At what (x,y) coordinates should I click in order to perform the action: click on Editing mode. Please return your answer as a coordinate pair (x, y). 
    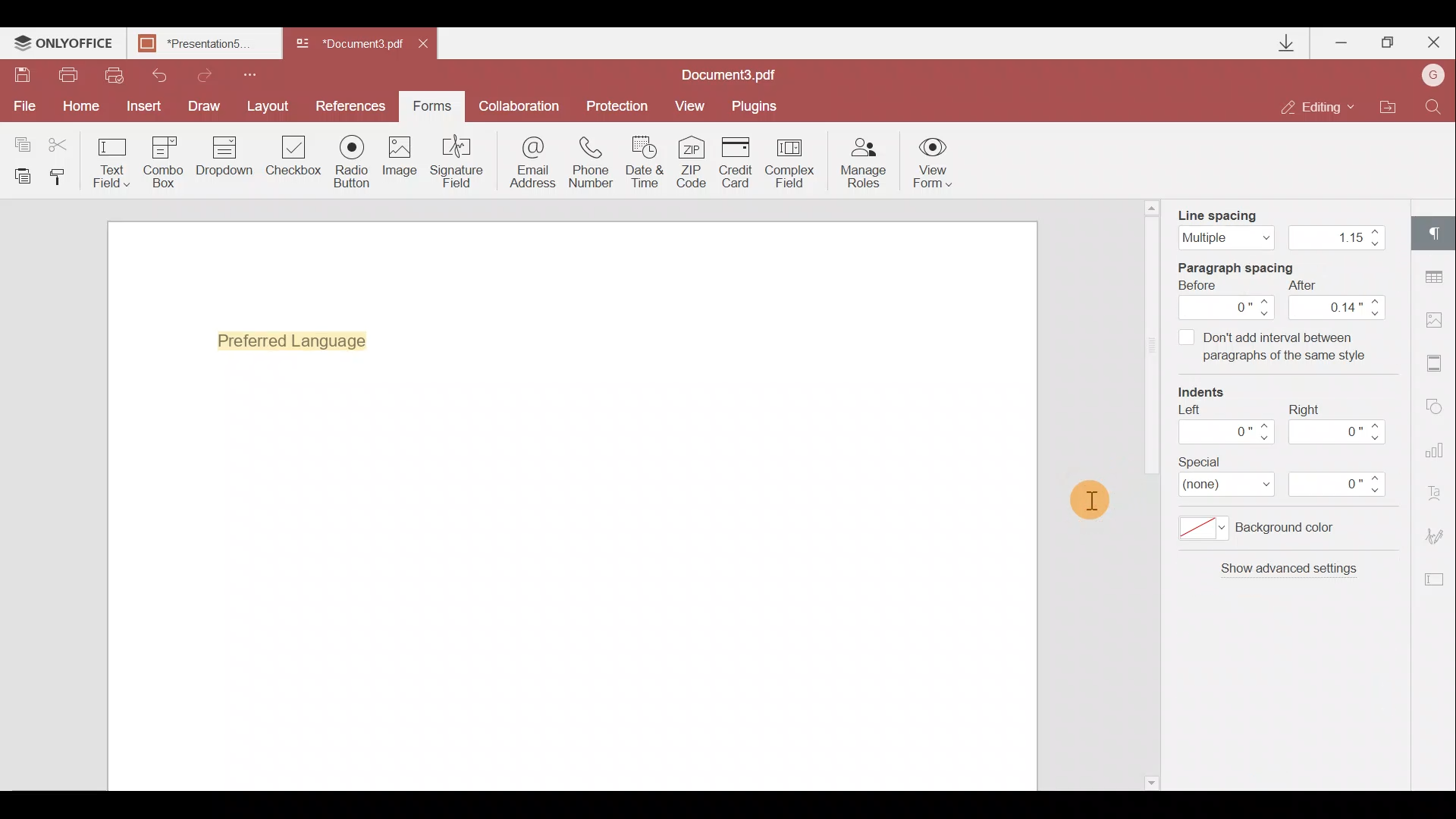
    Looking at the image, I should click on (1318, 106).